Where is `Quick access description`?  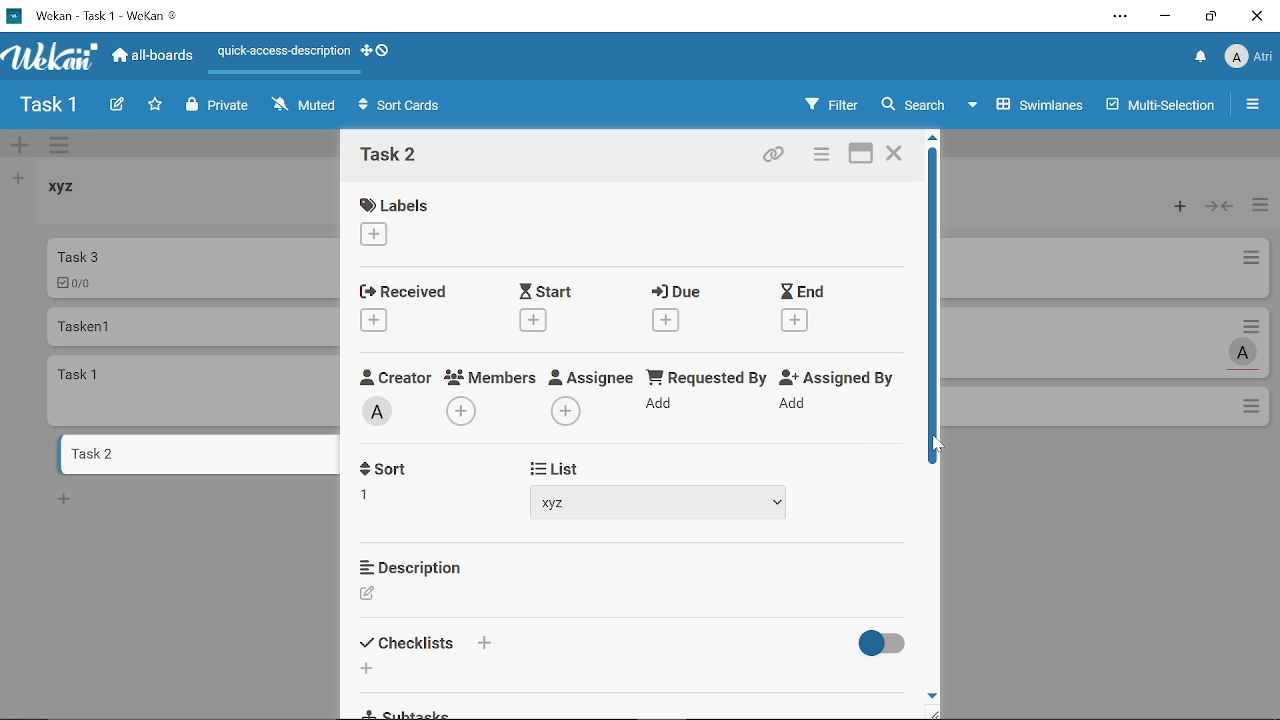
Quick access description is located at coordinates (280, 55).